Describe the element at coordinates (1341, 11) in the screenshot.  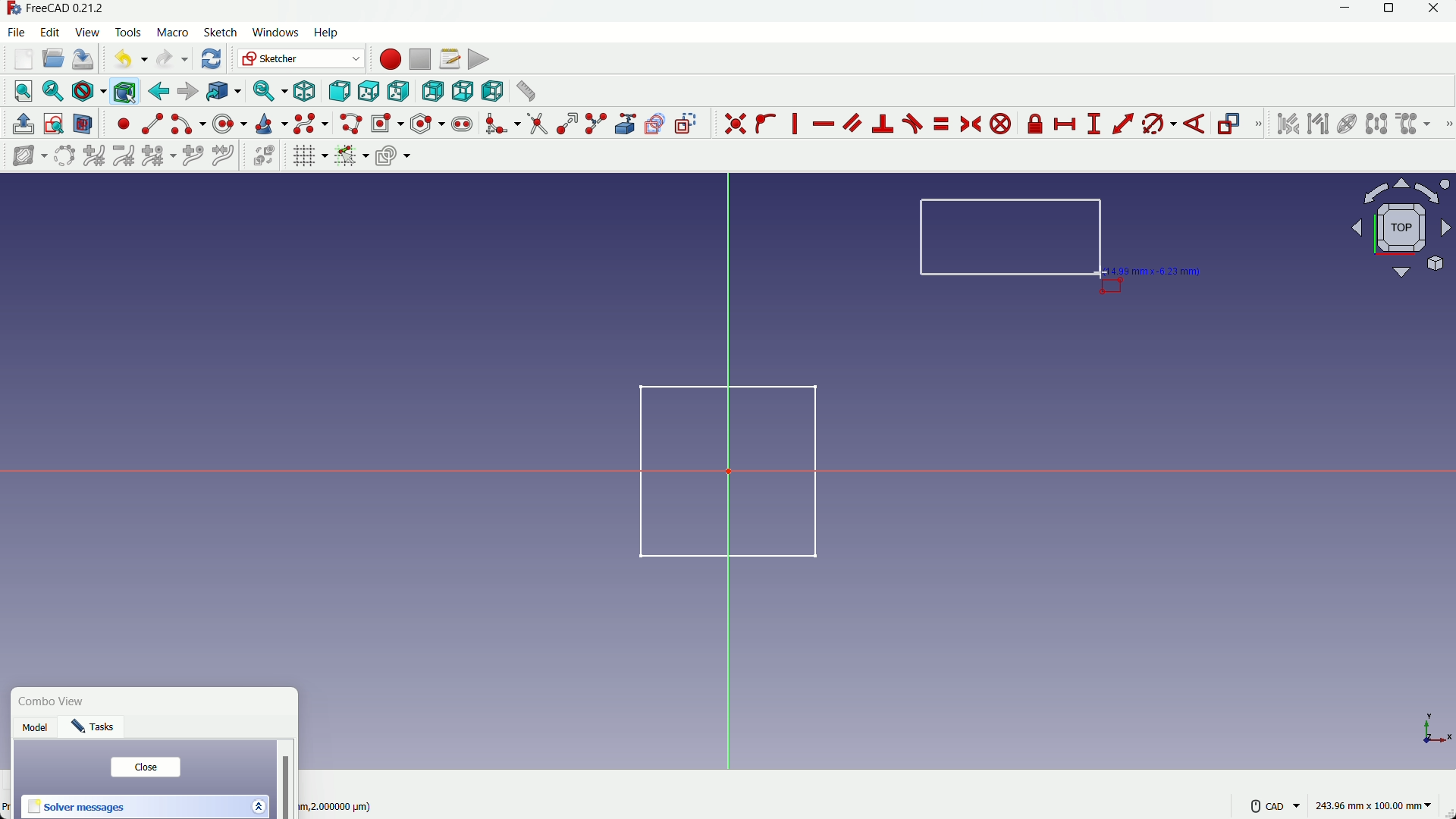
I see `minimize` at that location.